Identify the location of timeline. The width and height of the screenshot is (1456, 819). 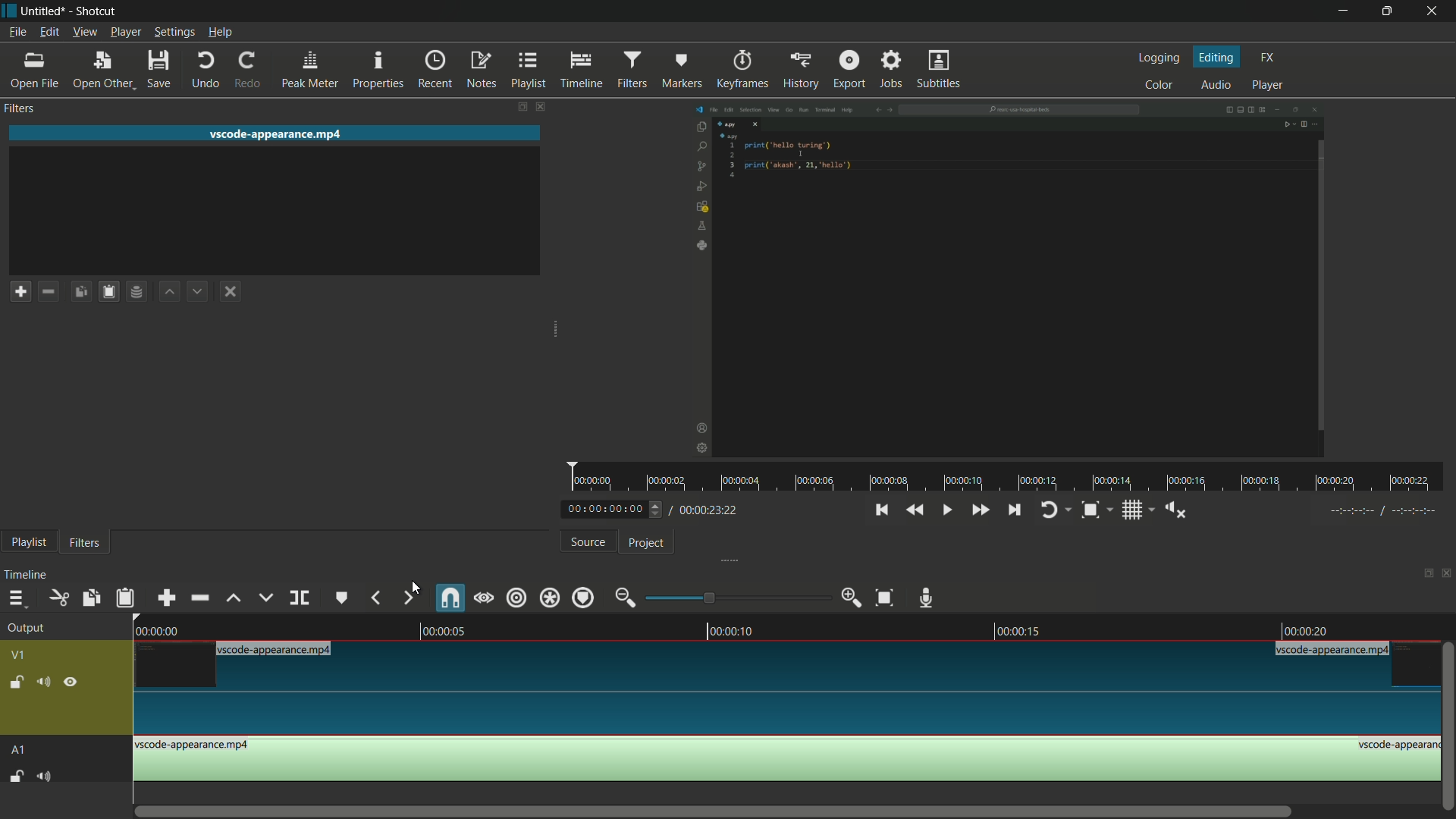
(579, 69).